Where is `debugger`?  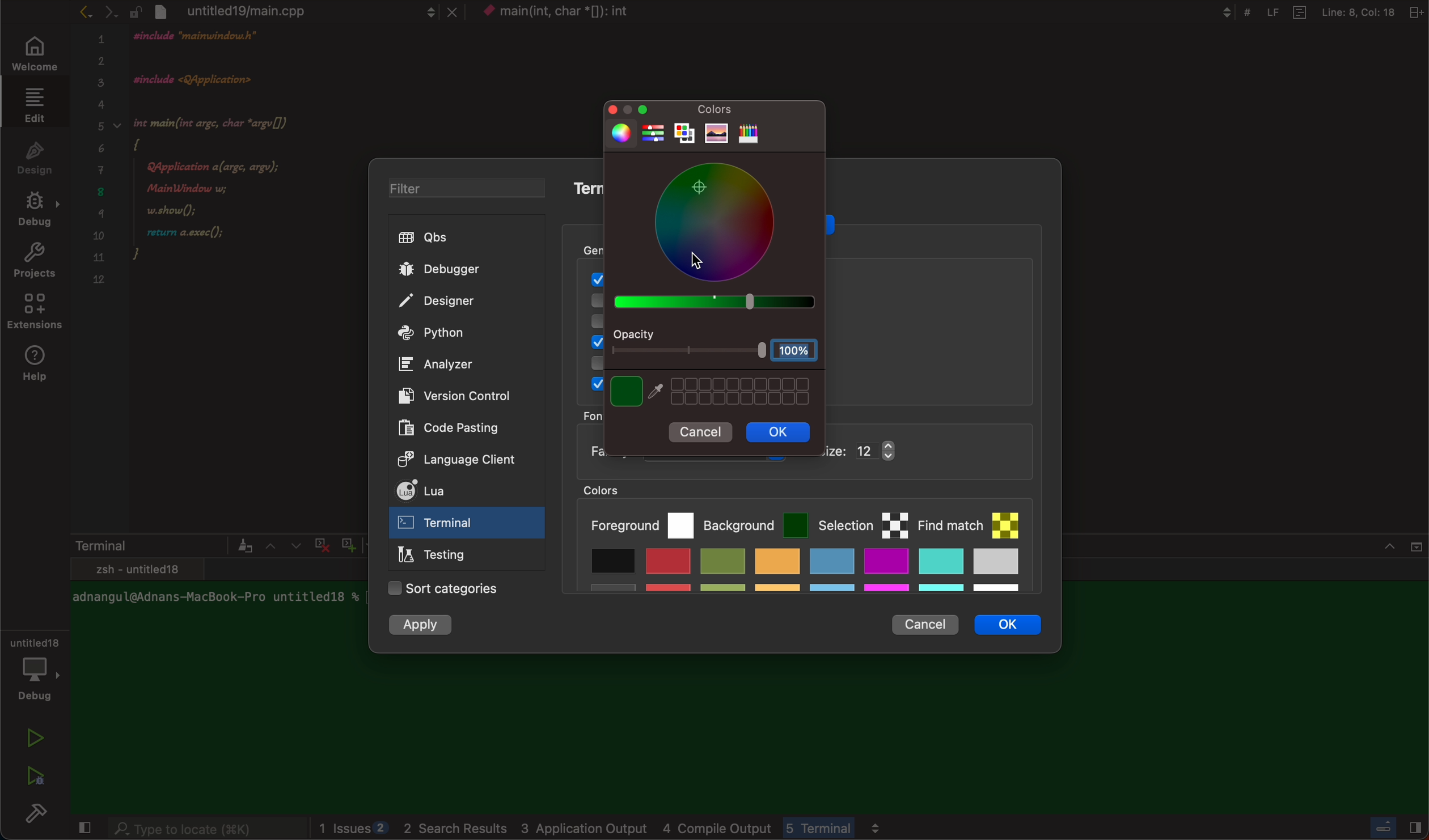 debugger is located at coordinates (459, 269).